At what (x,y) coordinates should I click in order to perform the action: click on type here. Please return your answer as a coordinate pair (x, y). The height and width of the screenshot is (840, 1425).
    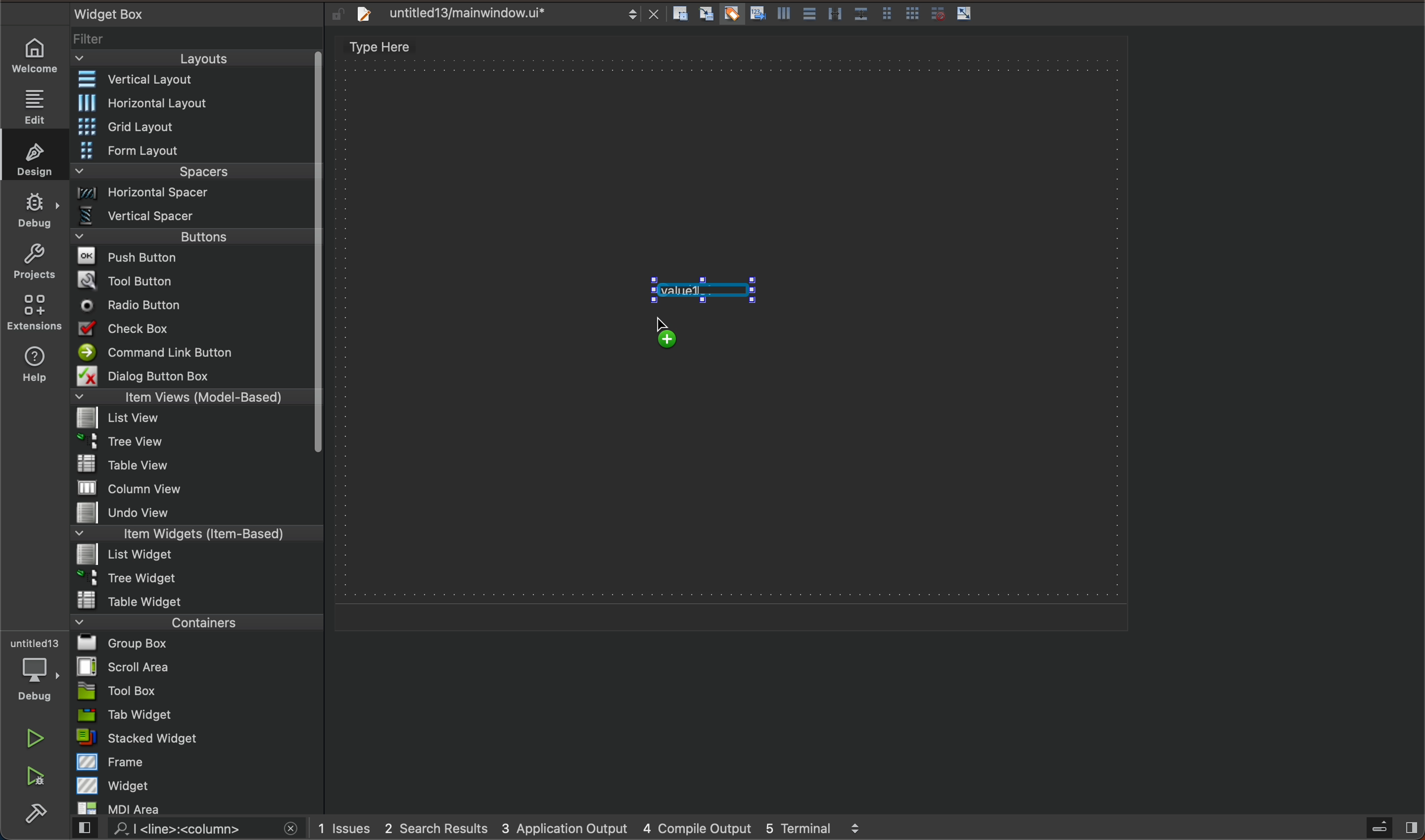
    Looking at the image, I should click on (392, 49).